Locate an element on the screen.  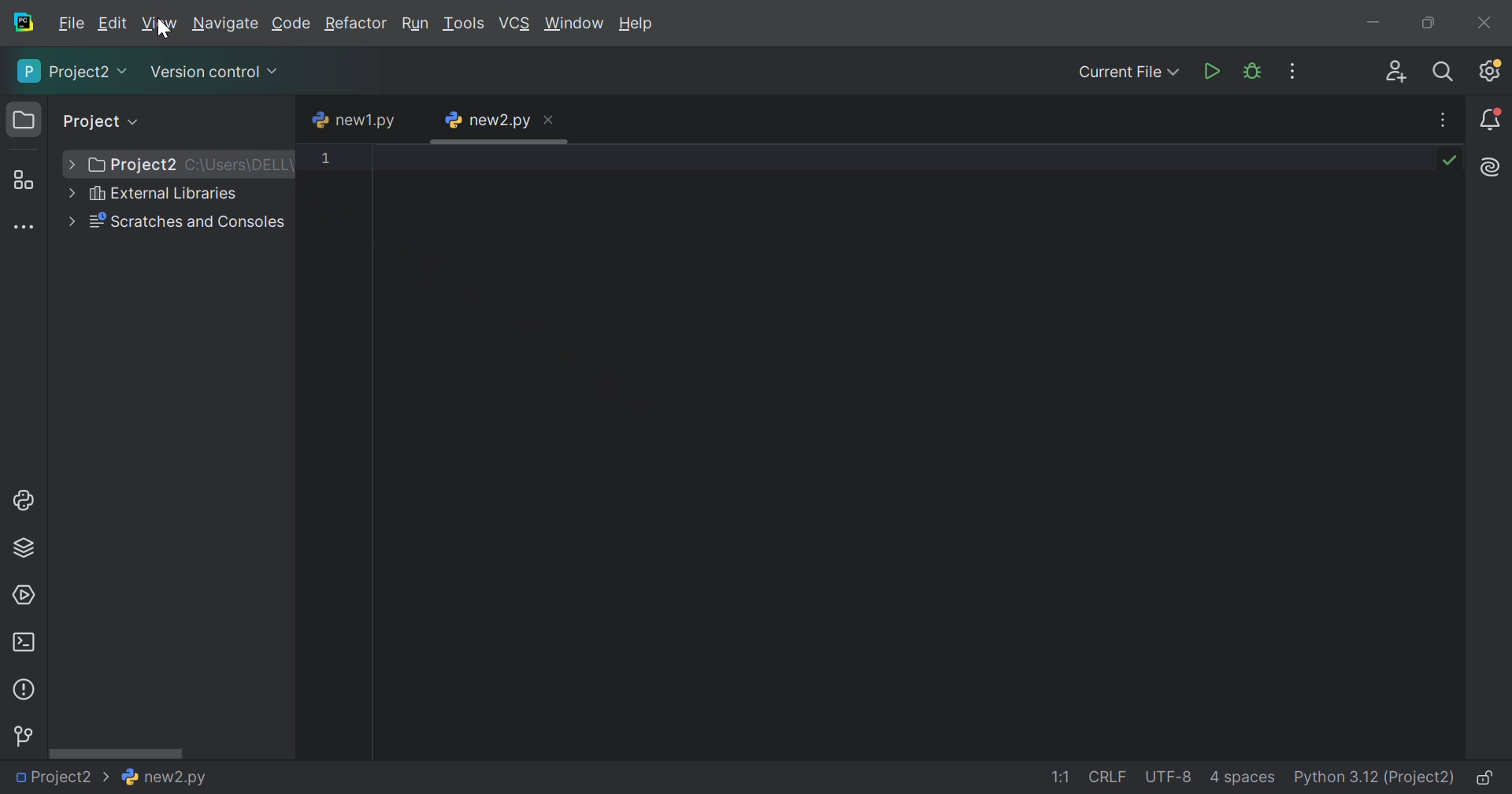
External Libraries is located at coordinates (163, 195).